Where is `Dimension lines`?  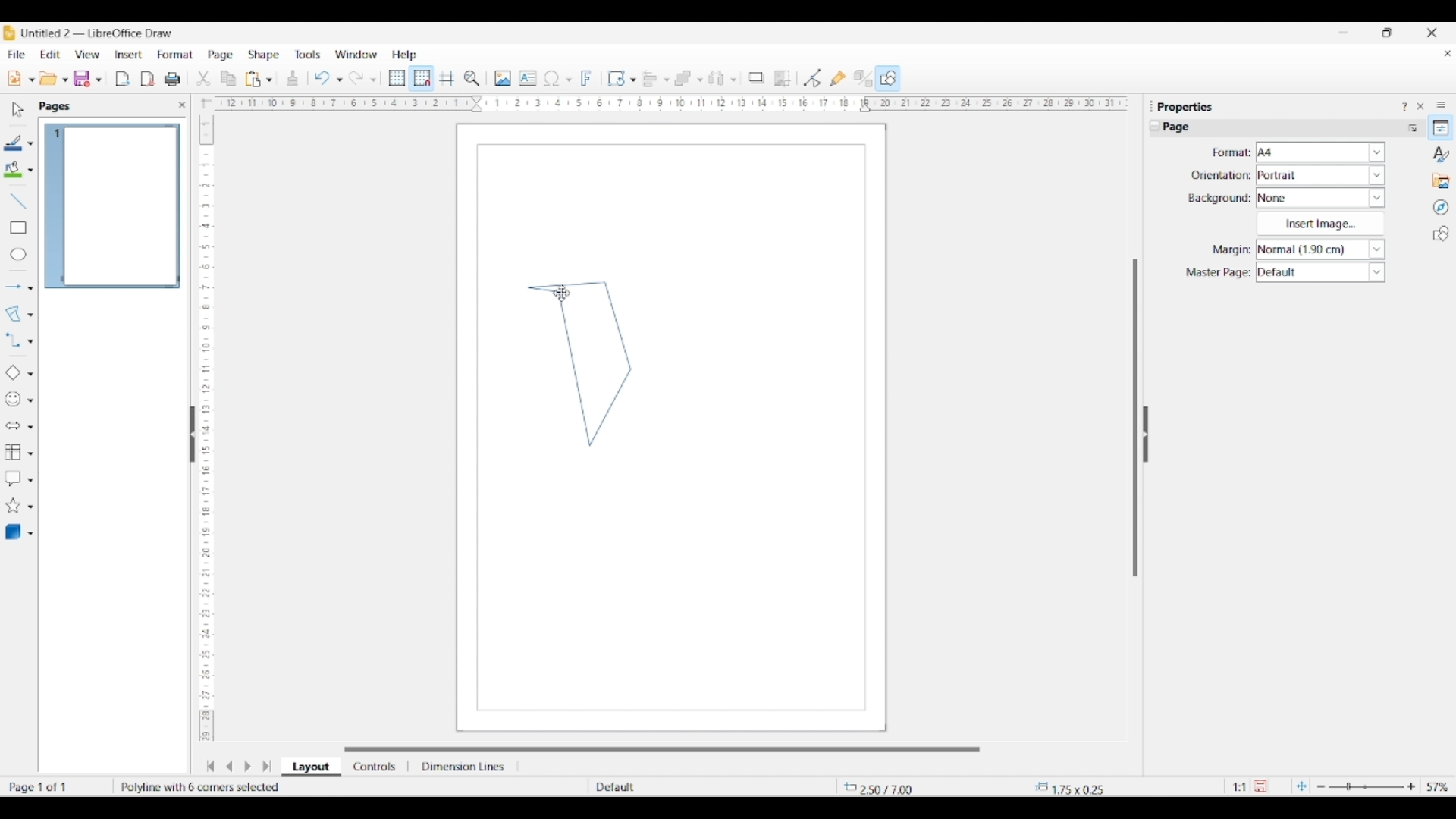 Dimension lines is located at coordinates (464, 767).